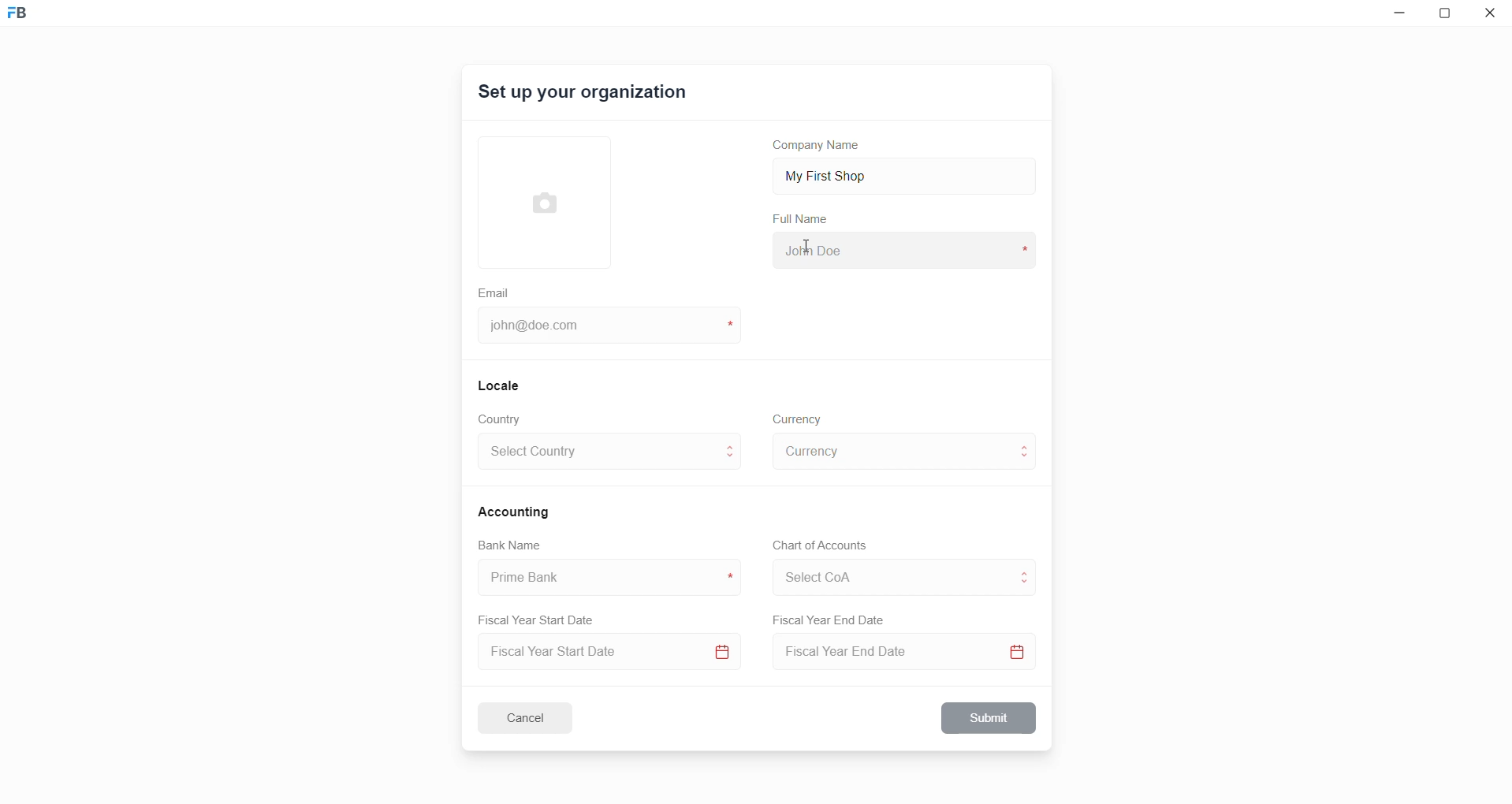  I want to click on select country, so click(598, 454).